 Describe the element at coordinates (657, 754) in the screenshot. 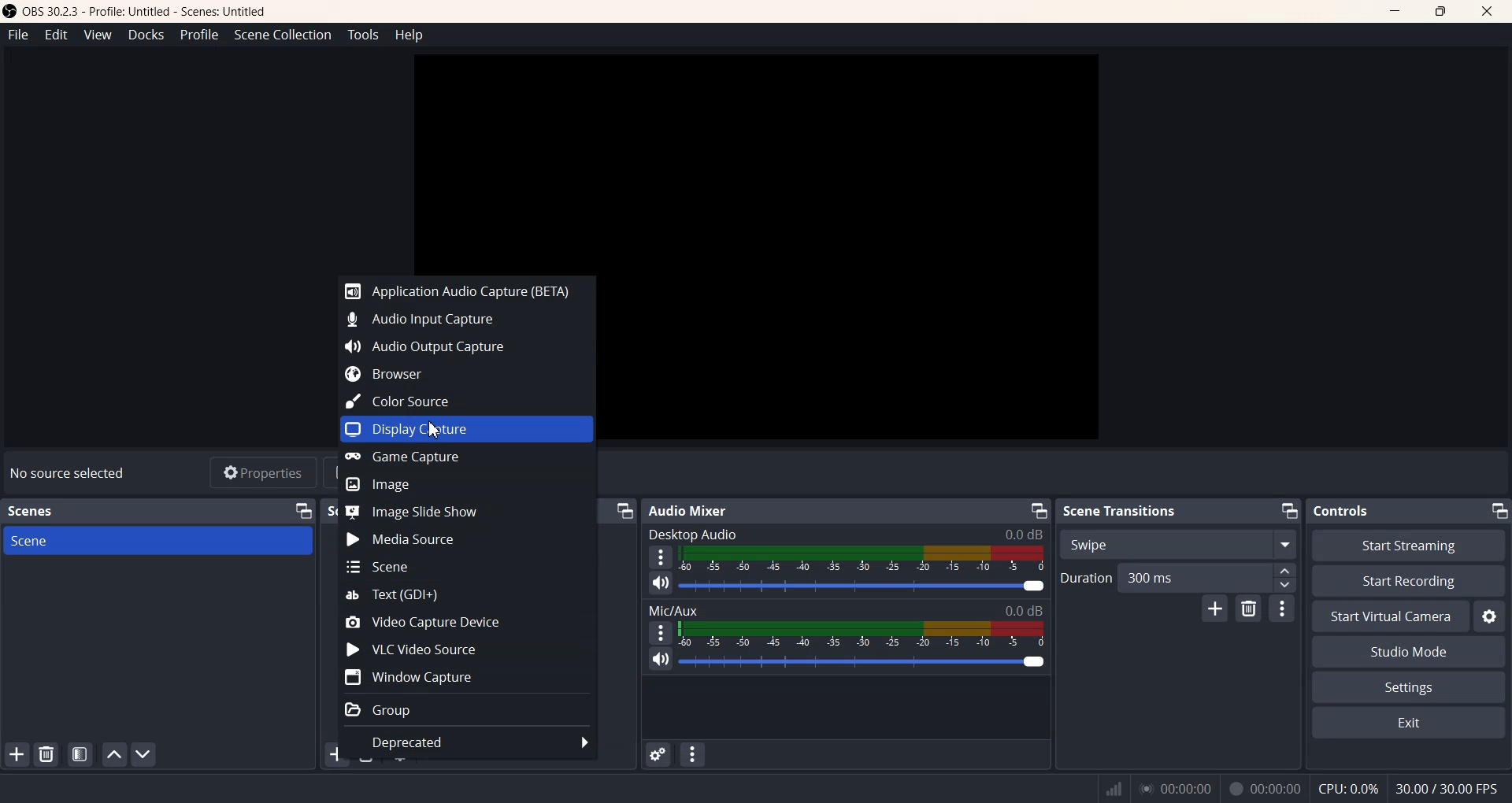

I see `Advance Audio Properties` at that location.